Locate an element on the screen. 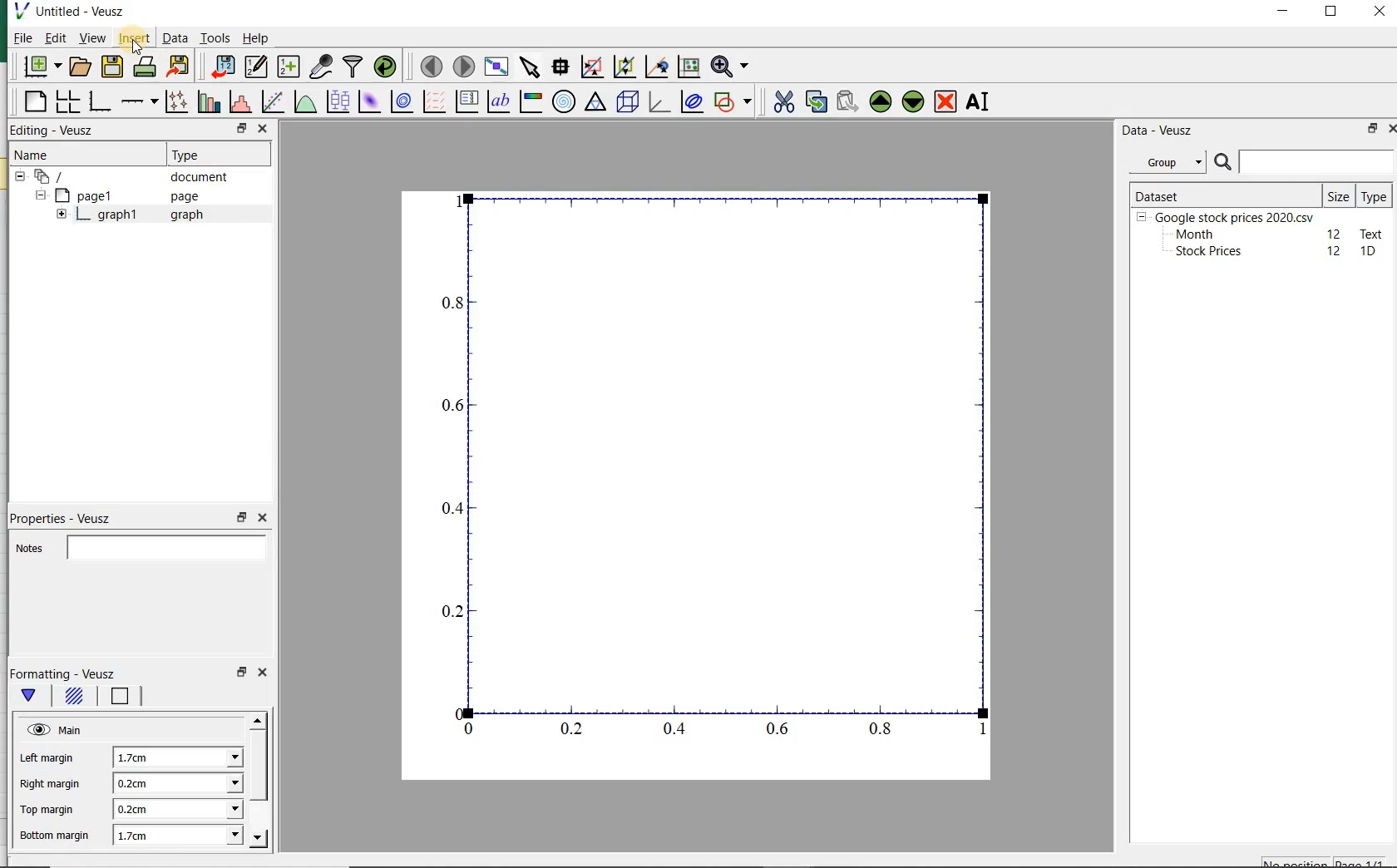  ternary graph is located at coordinates (595, 103).